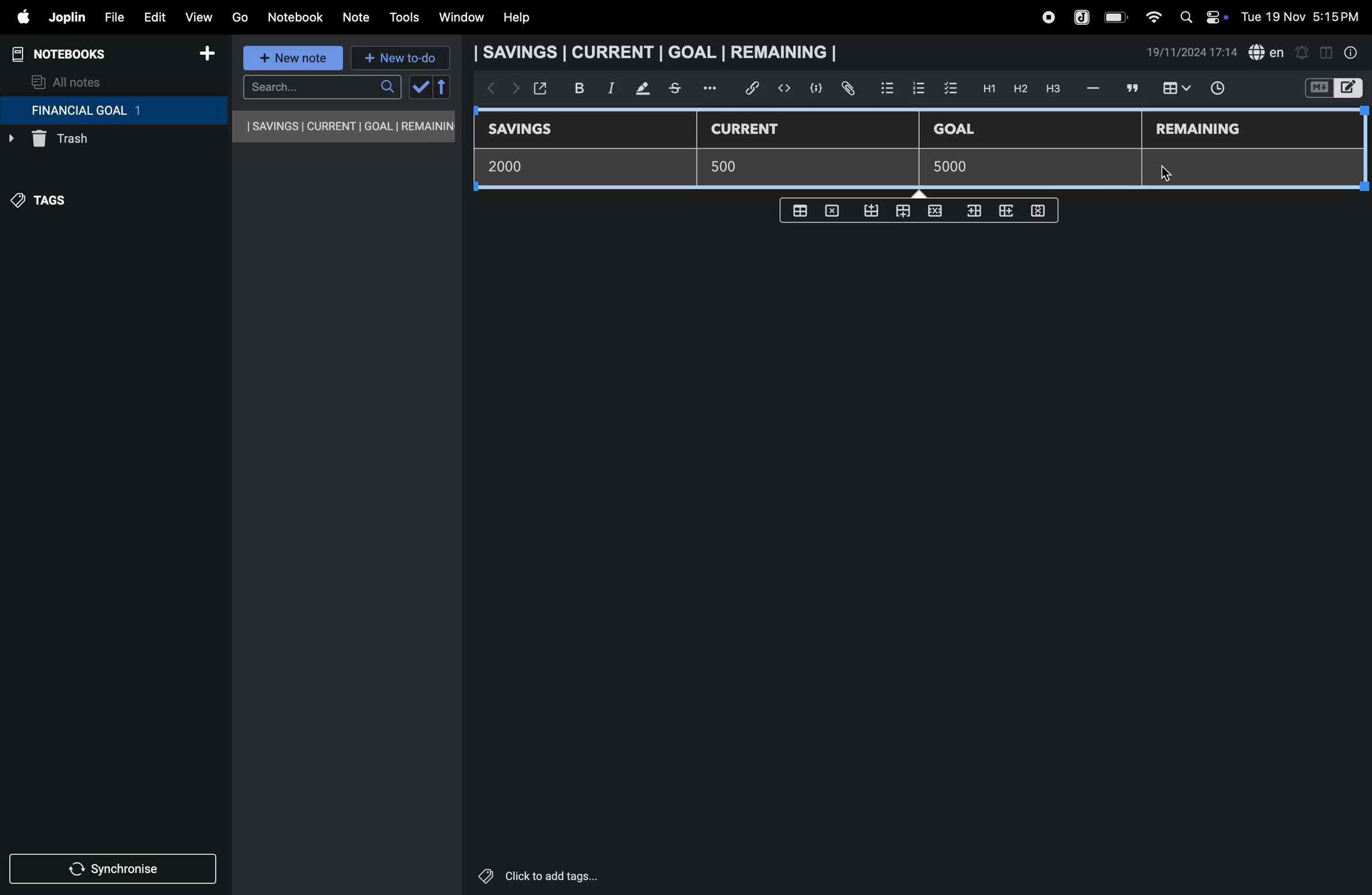  What do you see at coordinates (951, 89) in the screenshot?
I see `check box` at bounding box center [951, 89].